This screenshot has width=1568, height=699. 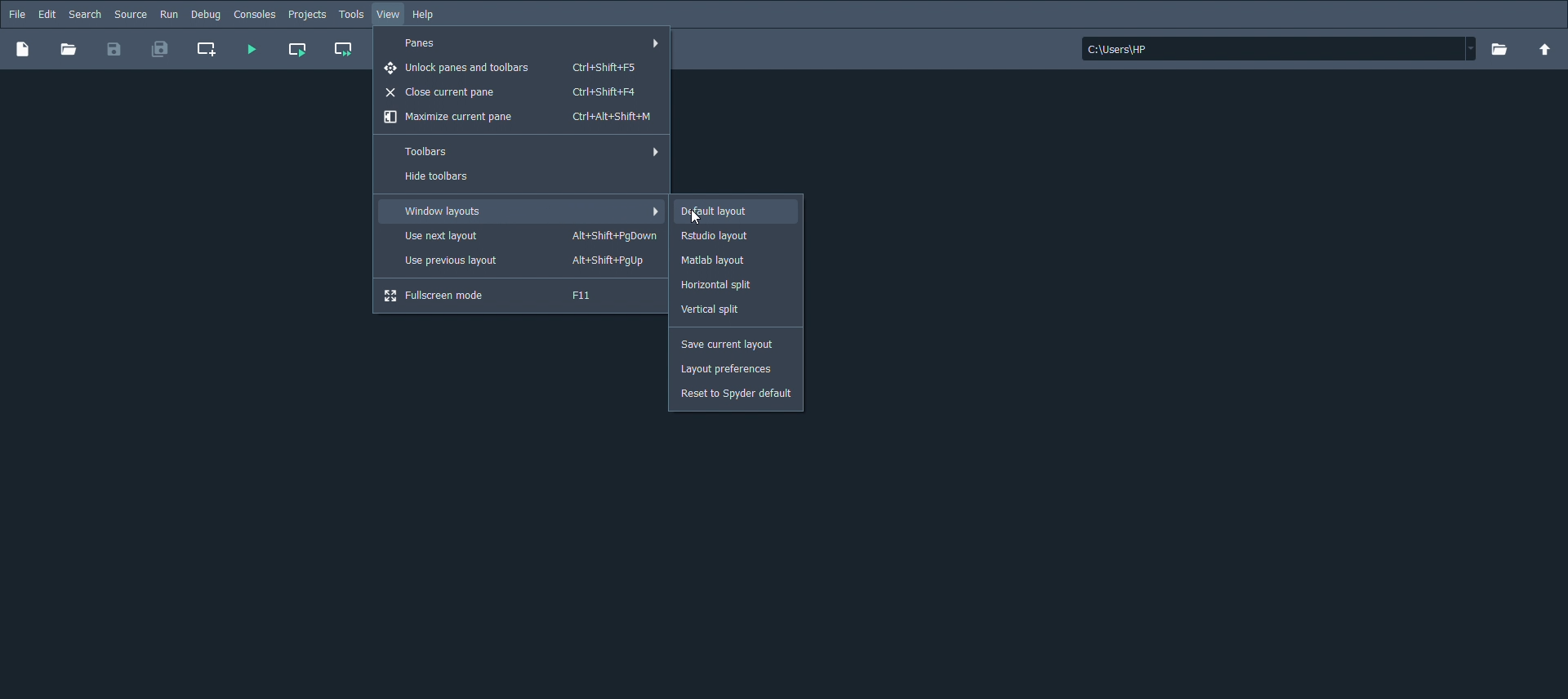 I want to click on Change to parent directory, so click(x=1546, y=48).